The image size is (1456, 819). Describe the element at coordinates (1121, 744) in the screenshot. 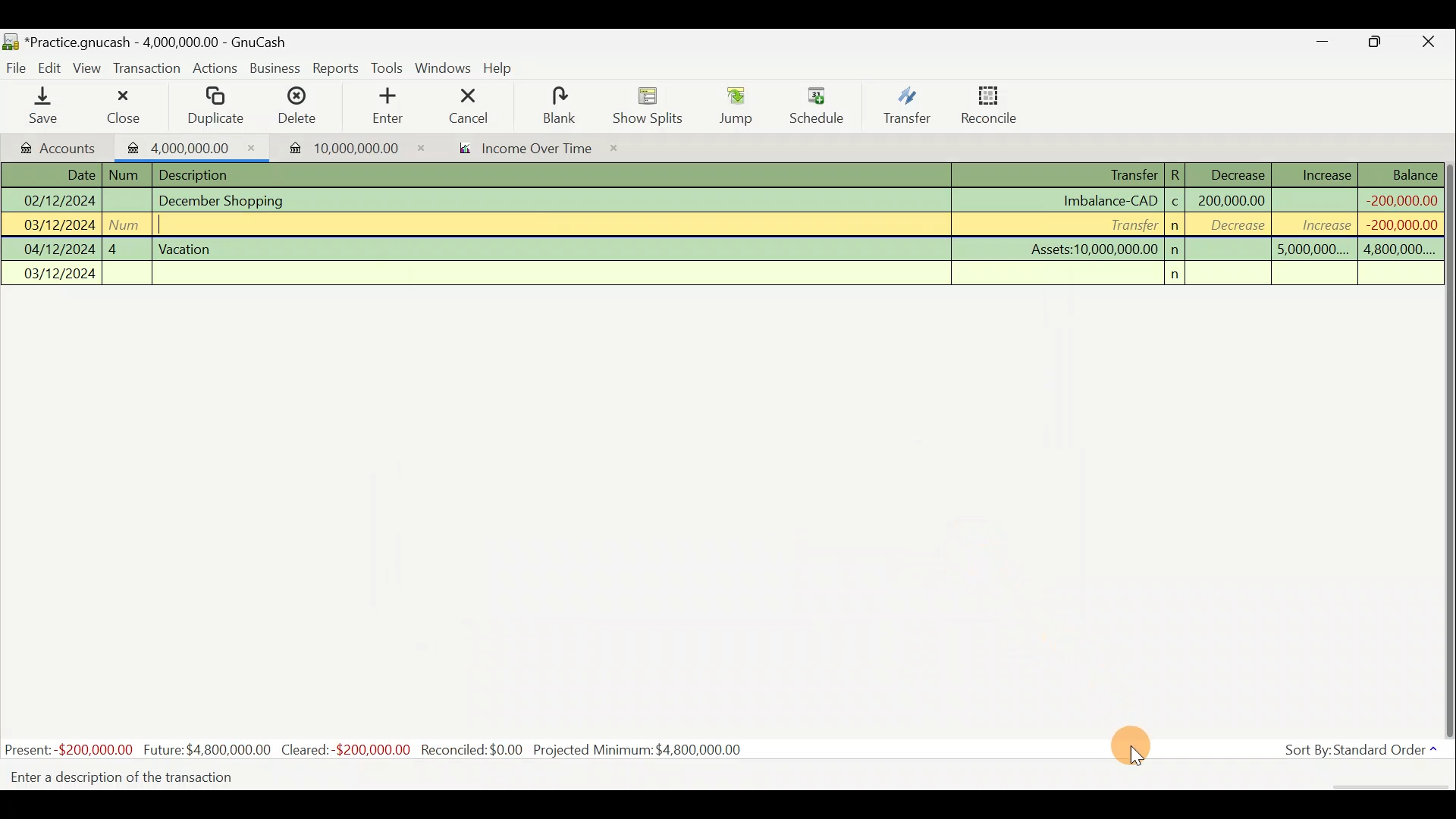

I see `Cursor` at that location.